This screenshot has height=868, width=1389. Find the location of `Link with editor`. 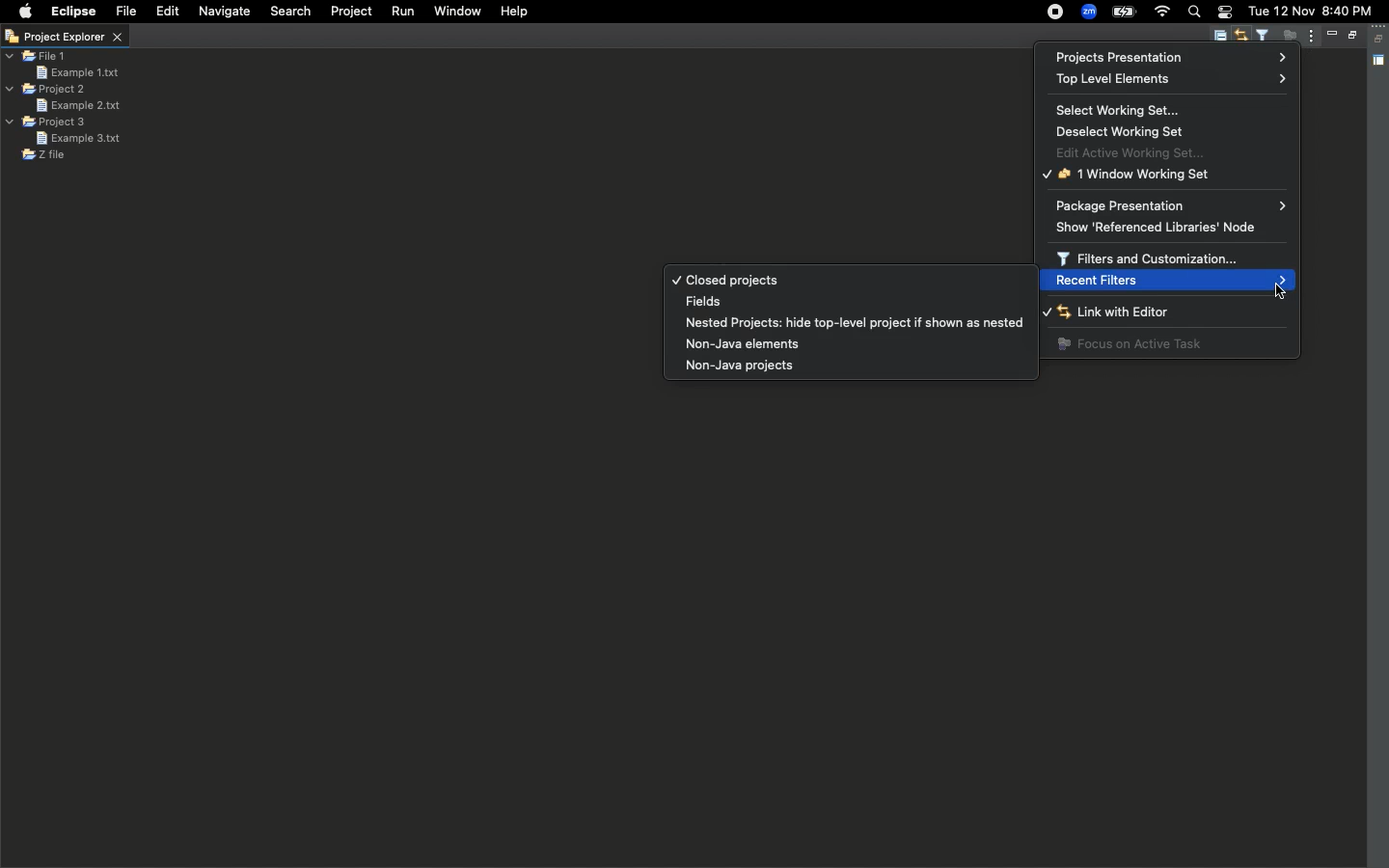

Link with editor is located at coordinates (1138, 313).